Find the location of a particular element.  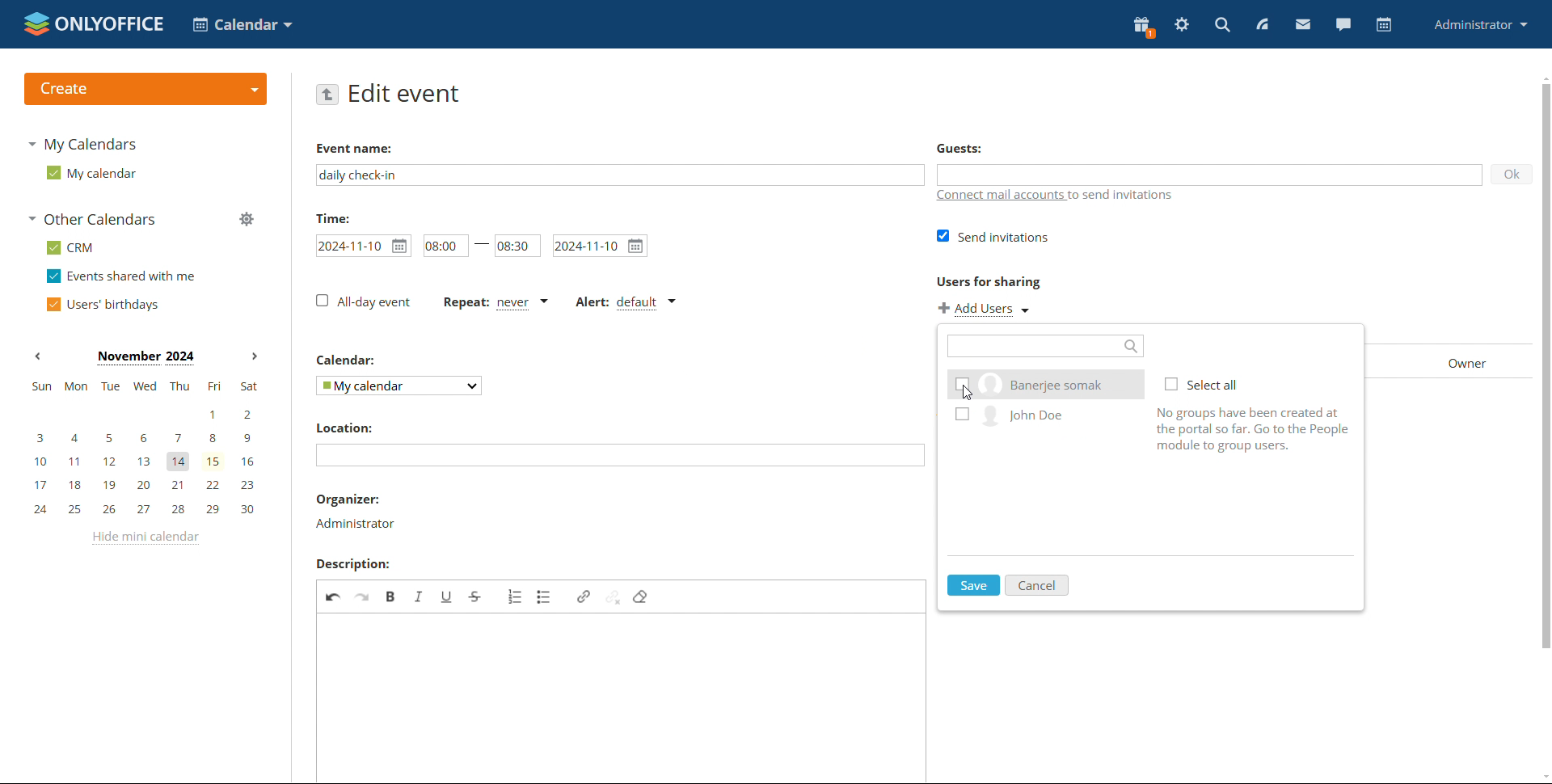

user 1 is located at coordinates (1044, 383).